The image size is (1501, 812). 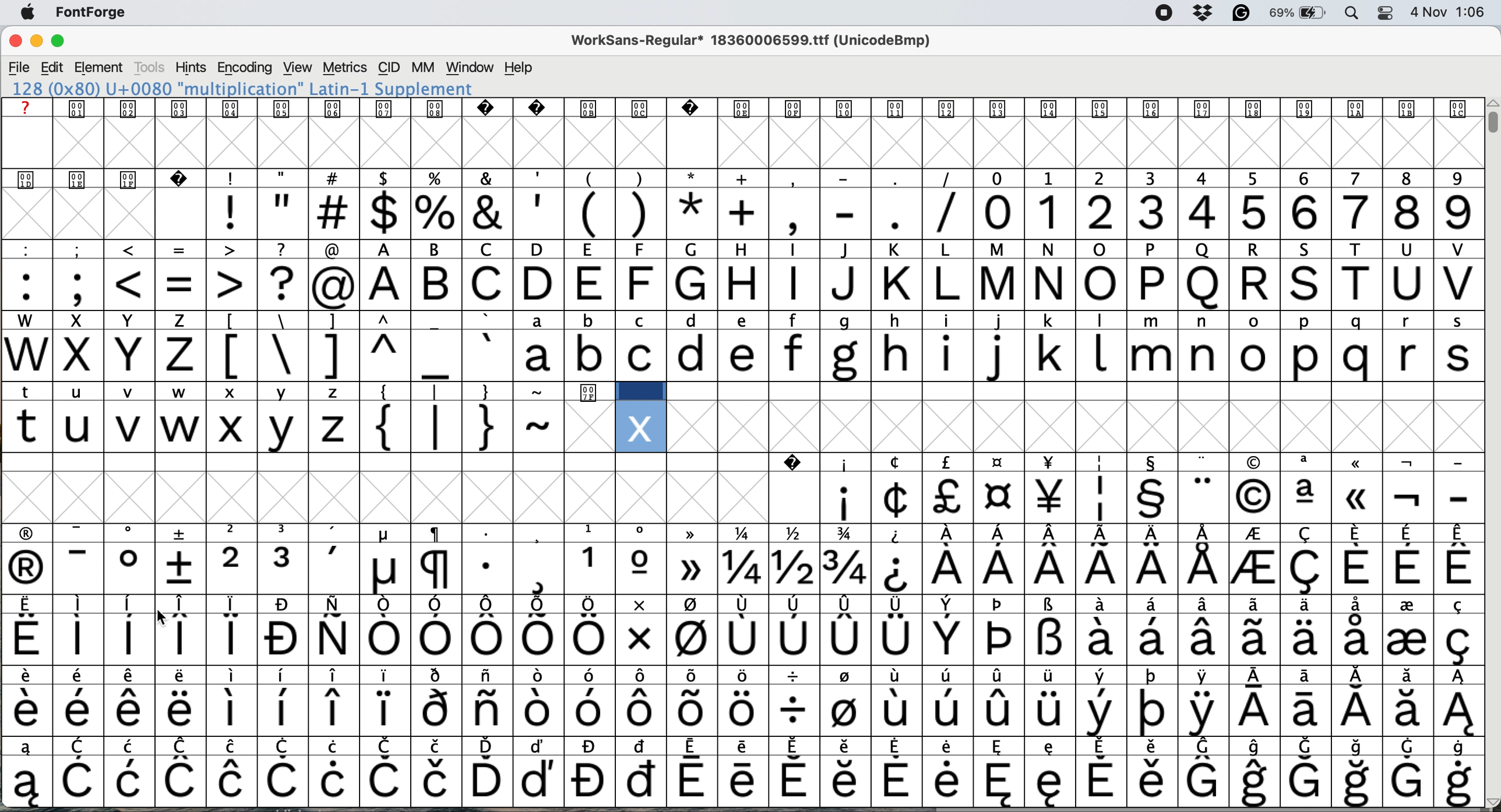 I want to click on file, so click(x=19, y=66).